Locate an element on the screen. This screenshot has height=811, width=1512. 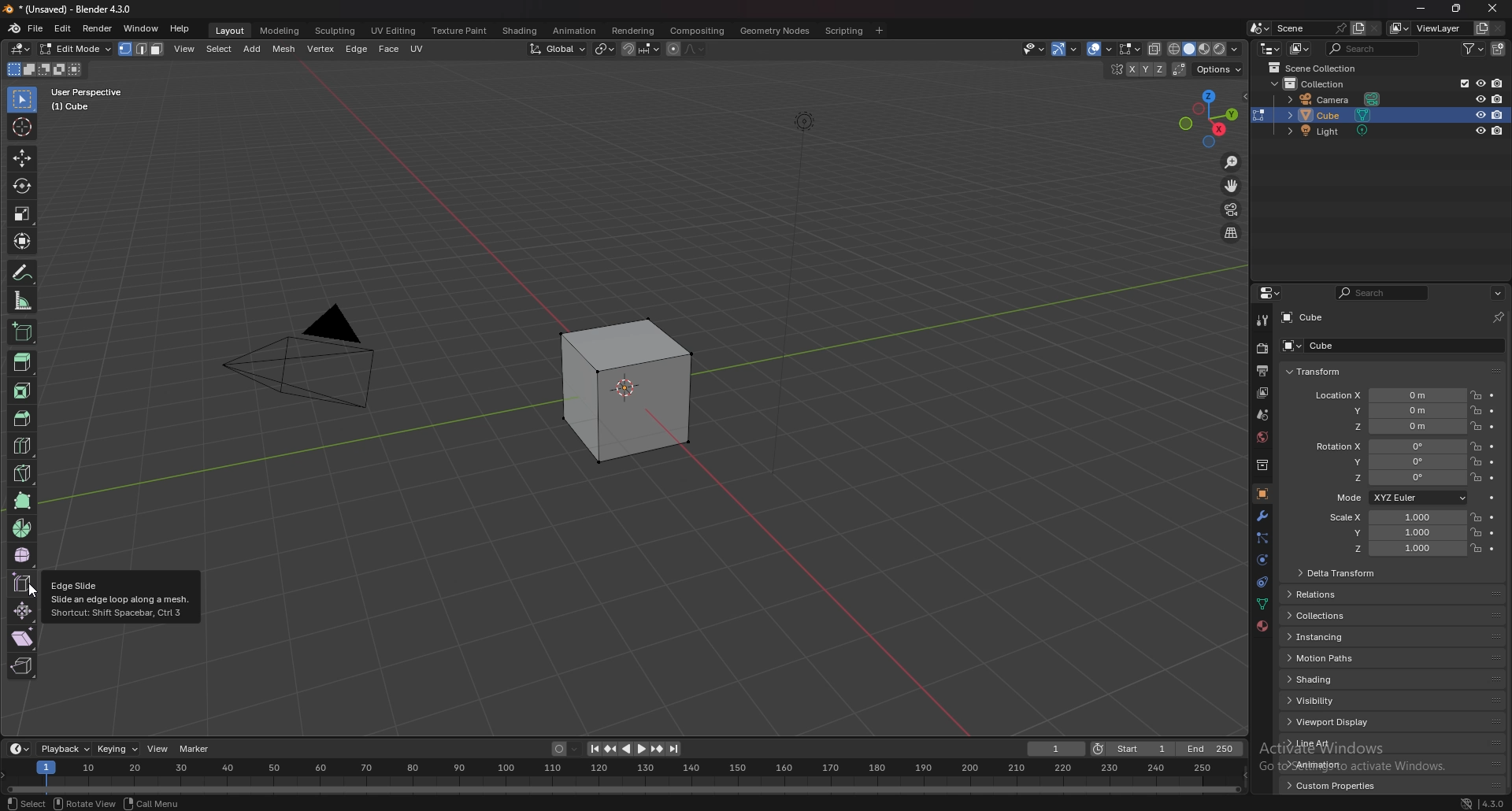
search is located at coordinates (1373, 48).